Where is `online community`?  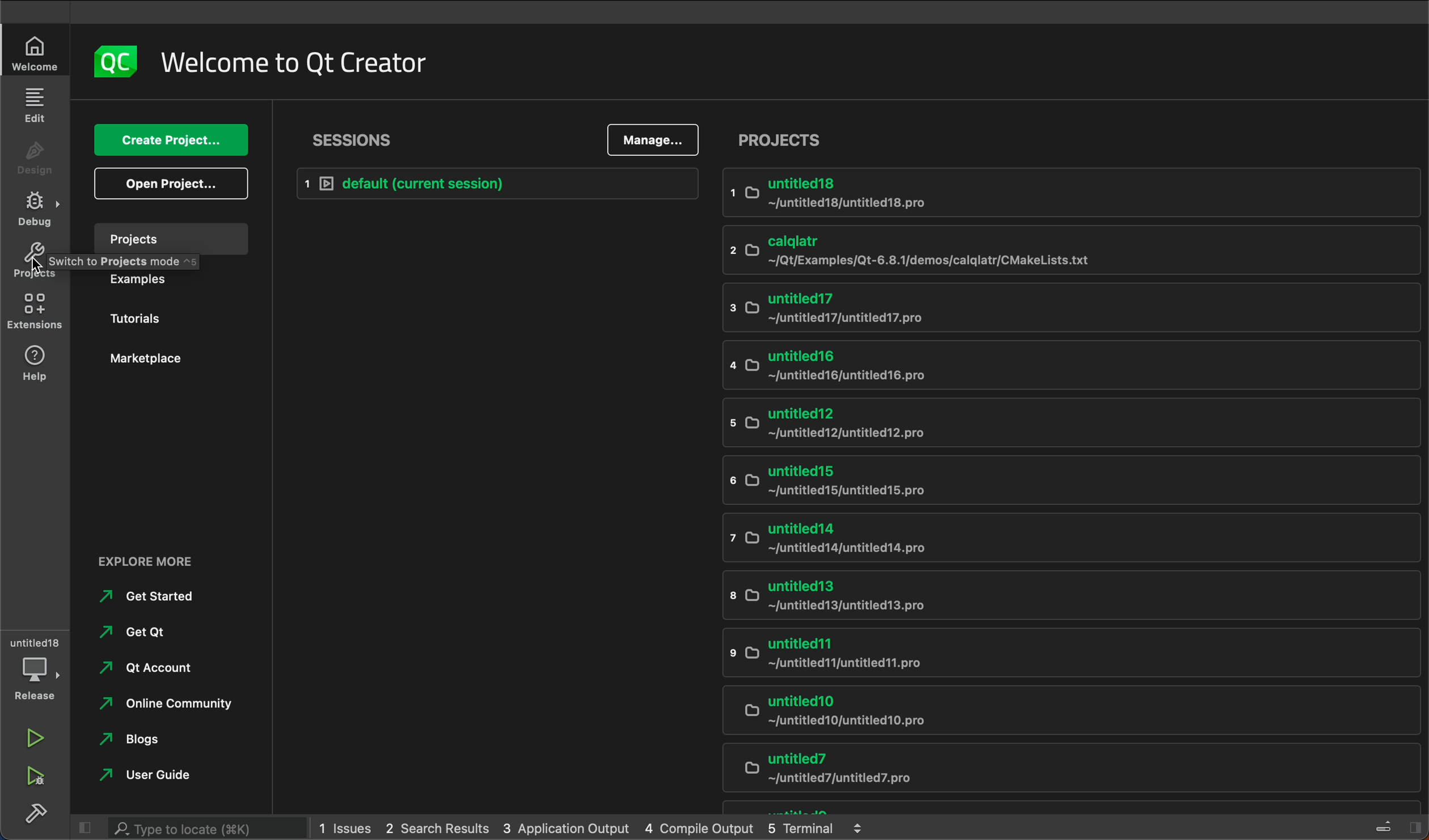 online community is located at coordinates (162, 706).